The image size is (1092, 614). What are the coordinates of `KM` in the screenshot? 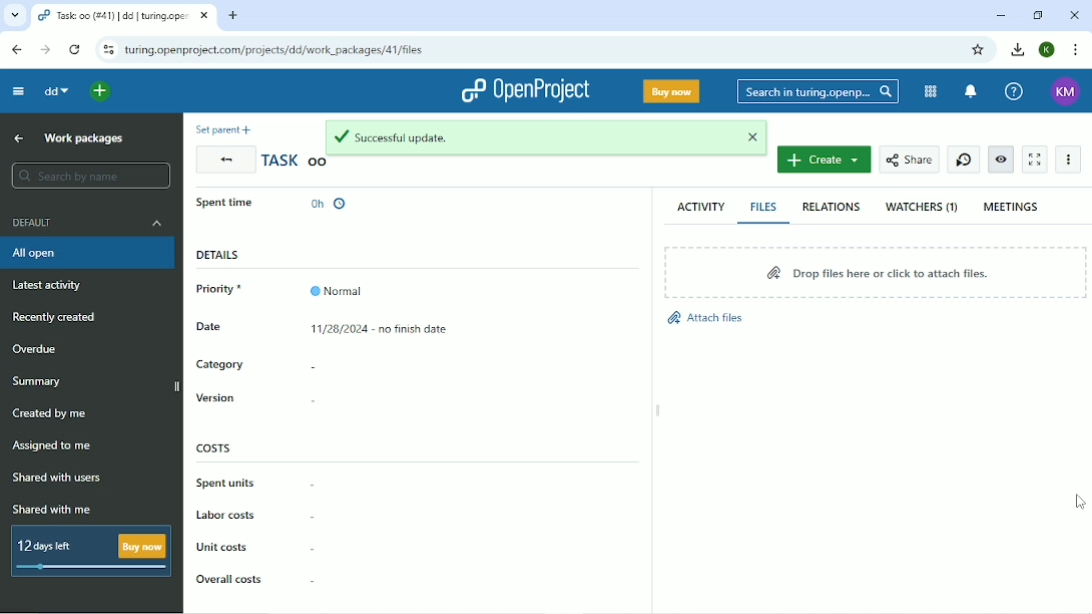 It's located at (1063, 90).